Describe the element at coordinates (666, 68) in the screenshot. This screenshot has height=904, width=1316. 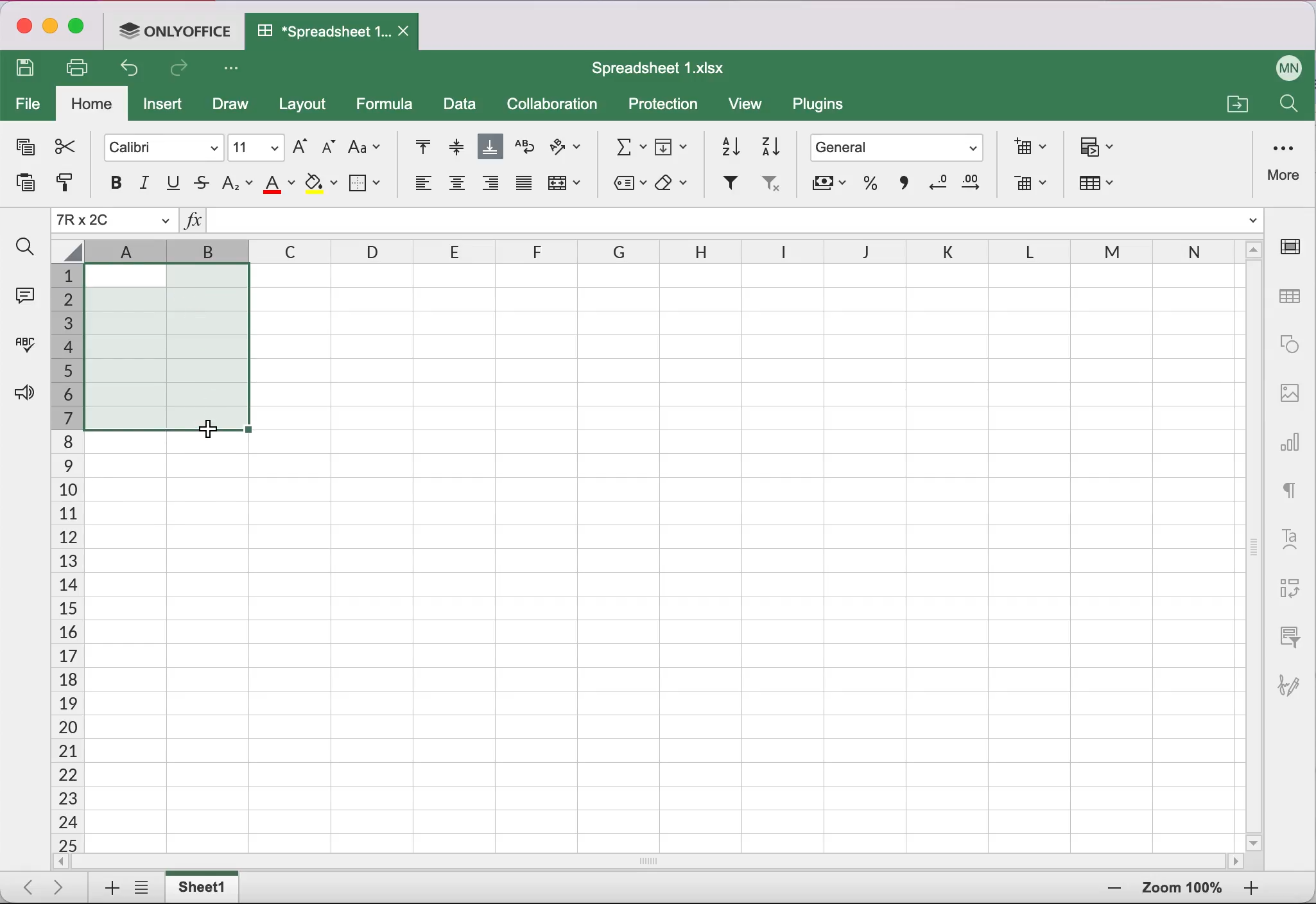
I see `Spreadsheet 1.xIsx` at that location.